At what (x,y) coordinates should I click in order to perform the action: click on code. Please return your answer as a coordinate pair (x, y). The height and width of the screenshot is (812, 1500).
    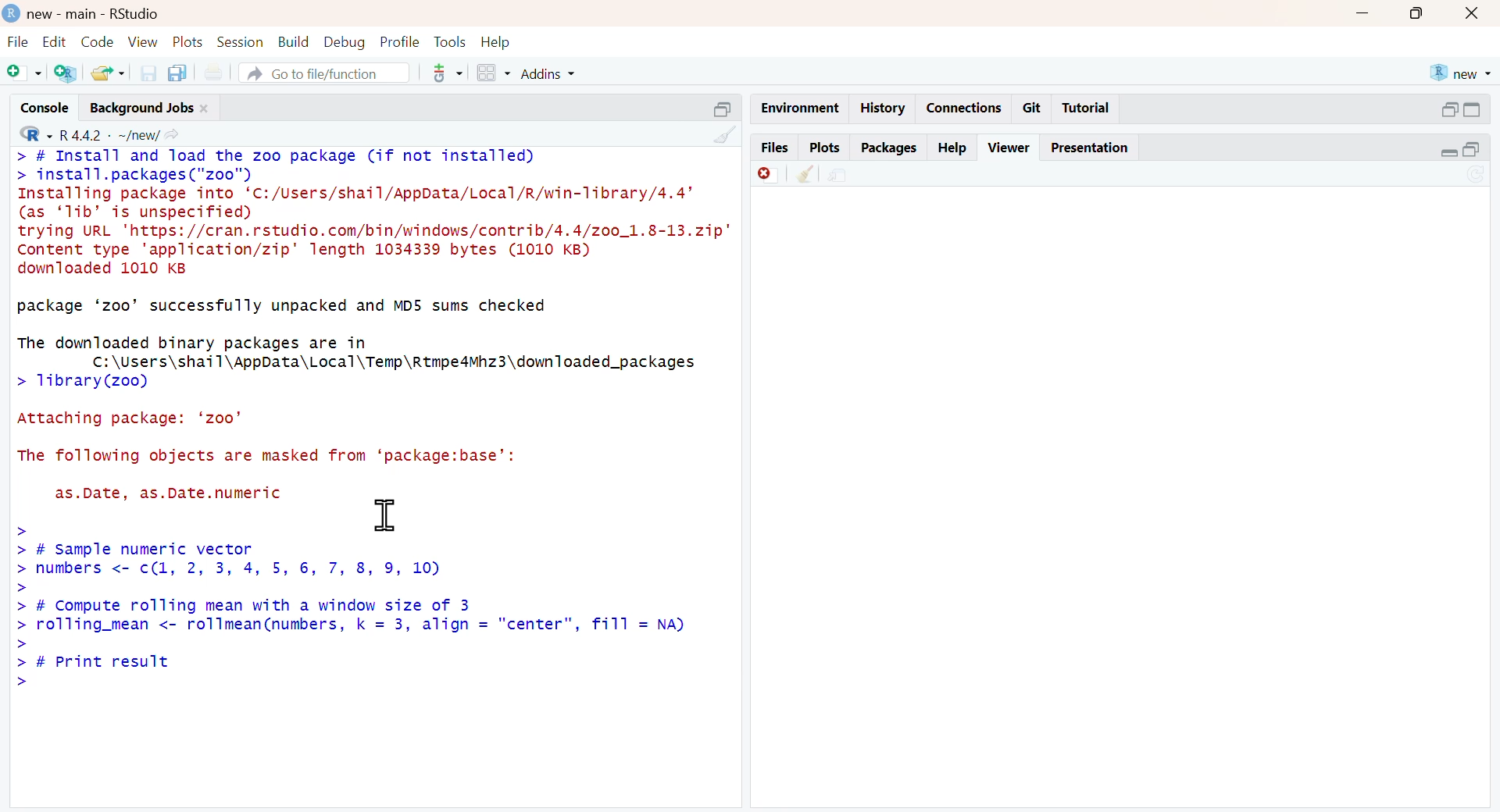
    Looking at the image, I should click on (97, 42).